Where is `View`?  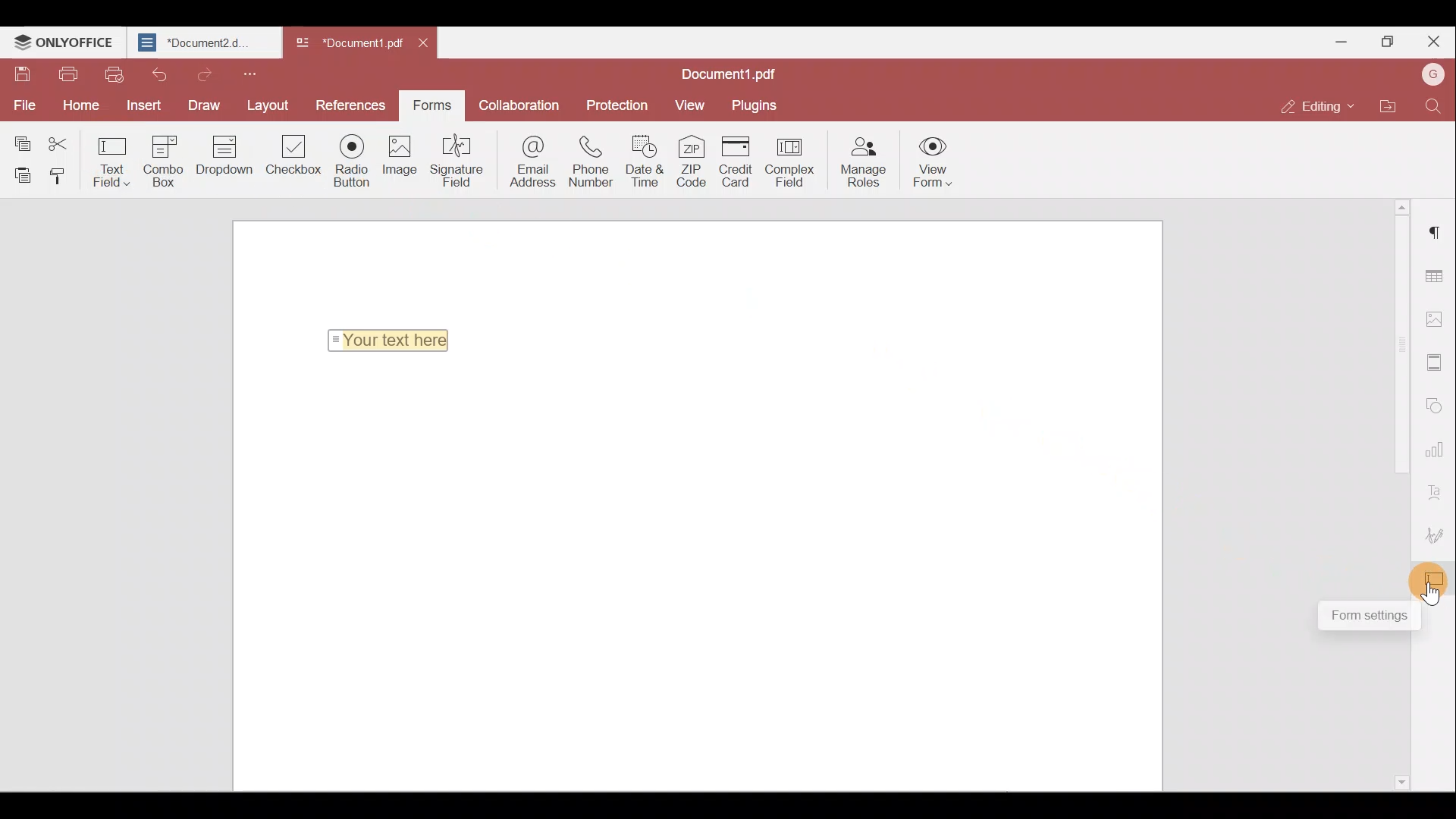
View is located at coordinates (691, 105).